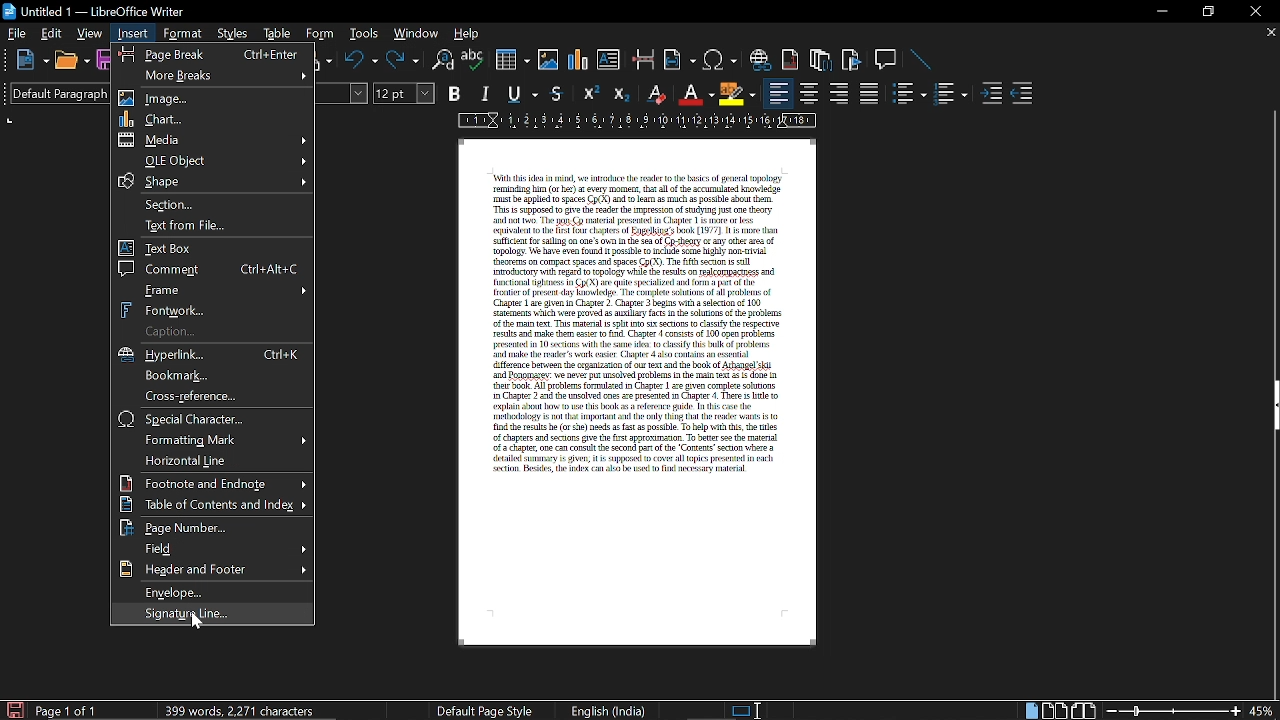  I want to click on text from file, so click(210, 224).